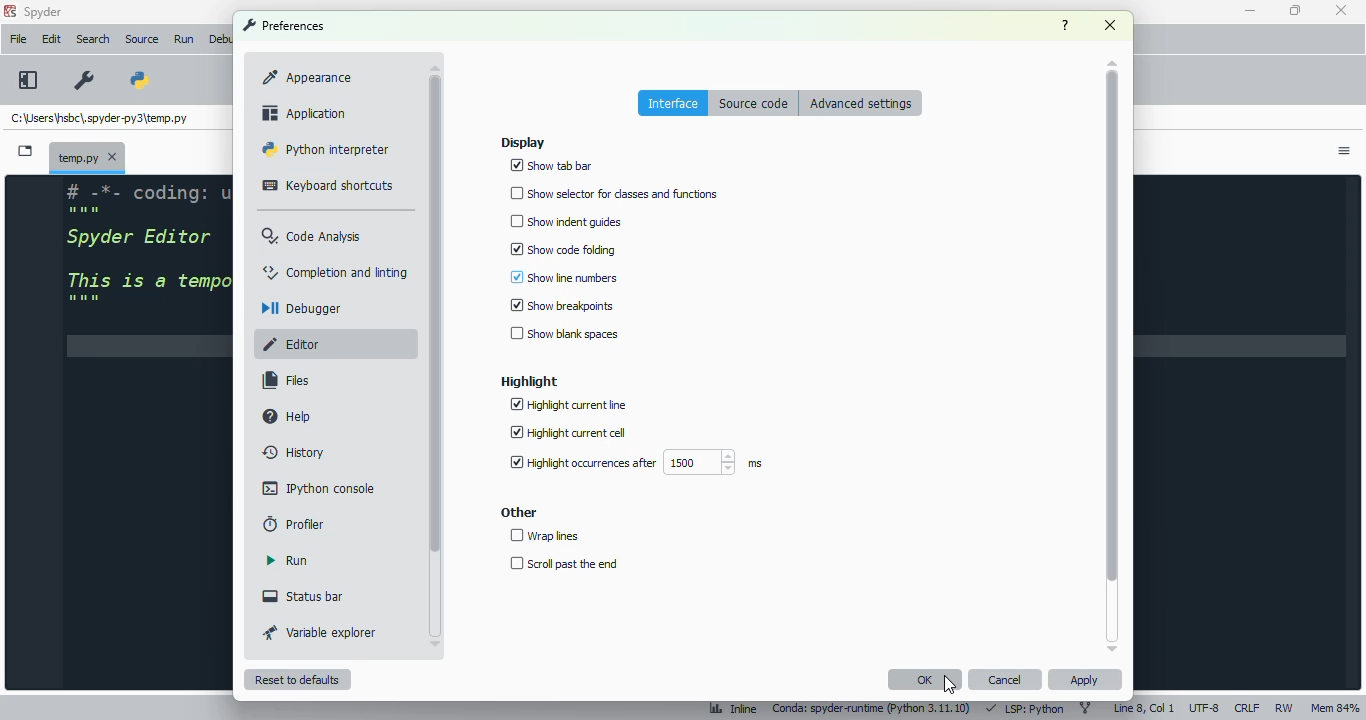 This screenshot has width=1366, height=720. I want to click on show blank spaces, so click(563, 335).